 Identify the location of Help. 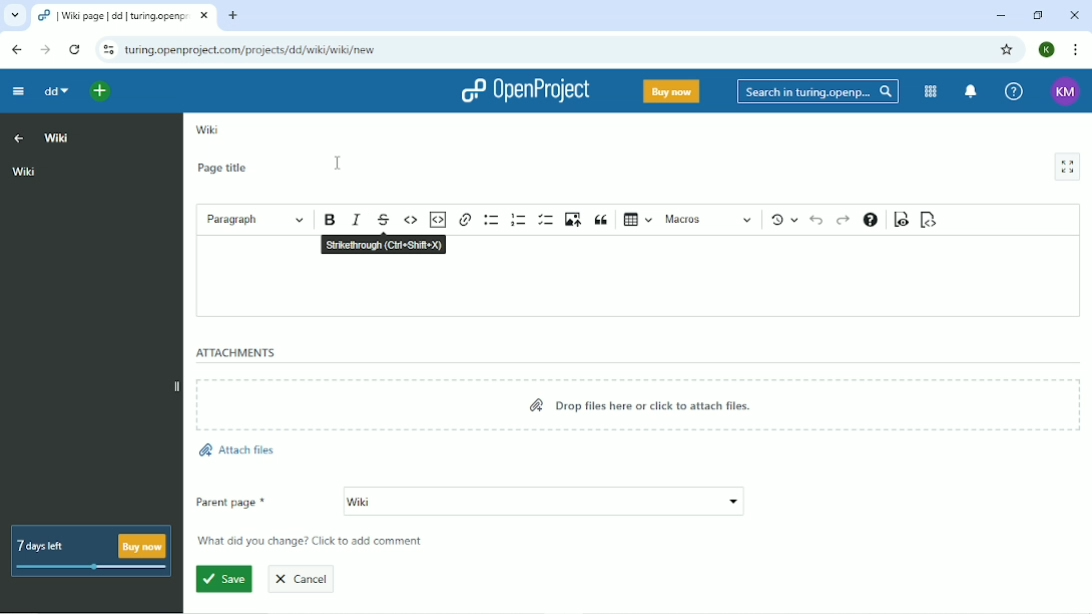
(1014, 91).